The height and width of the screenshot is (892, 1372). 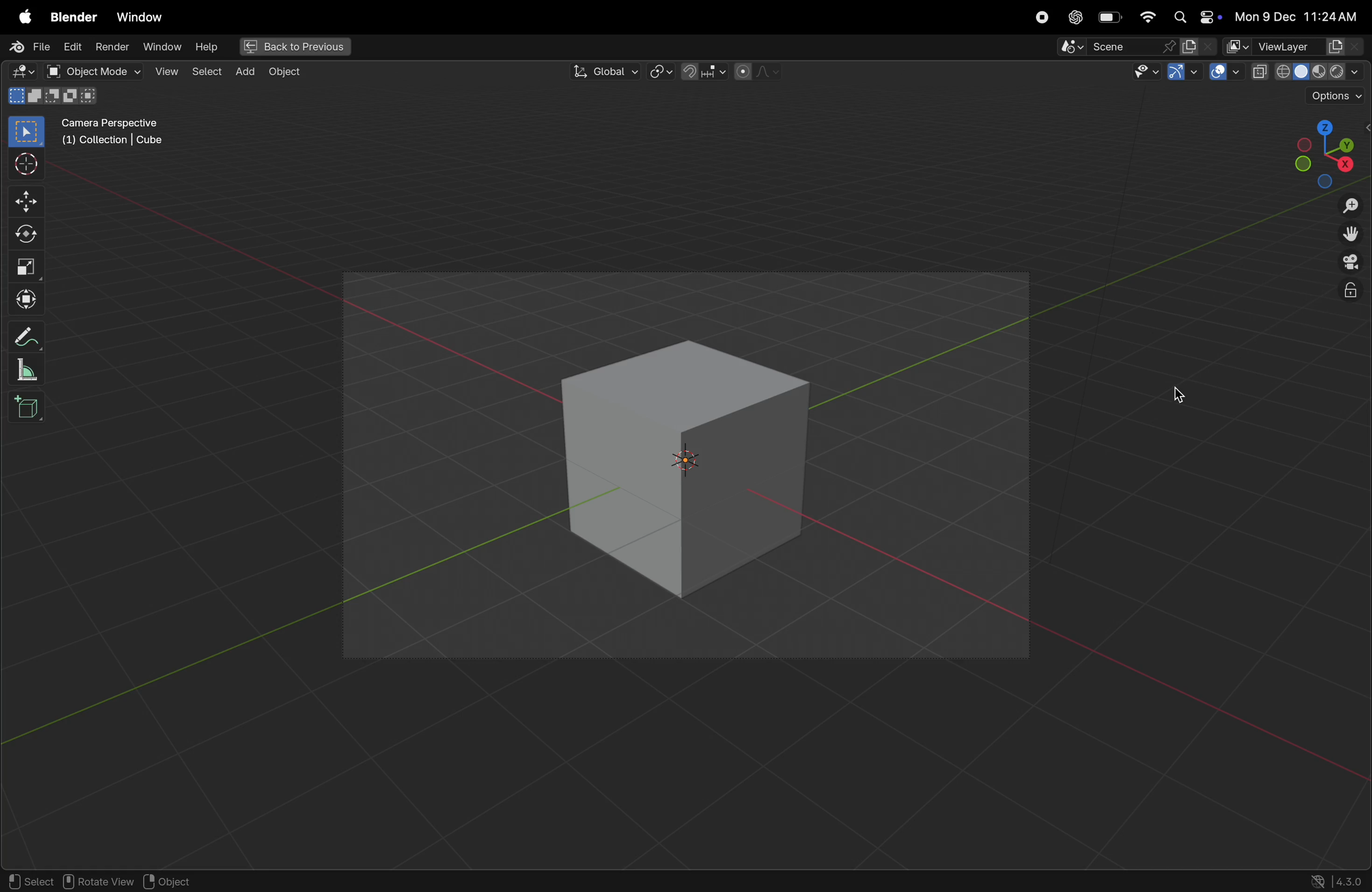 I want to click on measure , so click(x=29, y=373).